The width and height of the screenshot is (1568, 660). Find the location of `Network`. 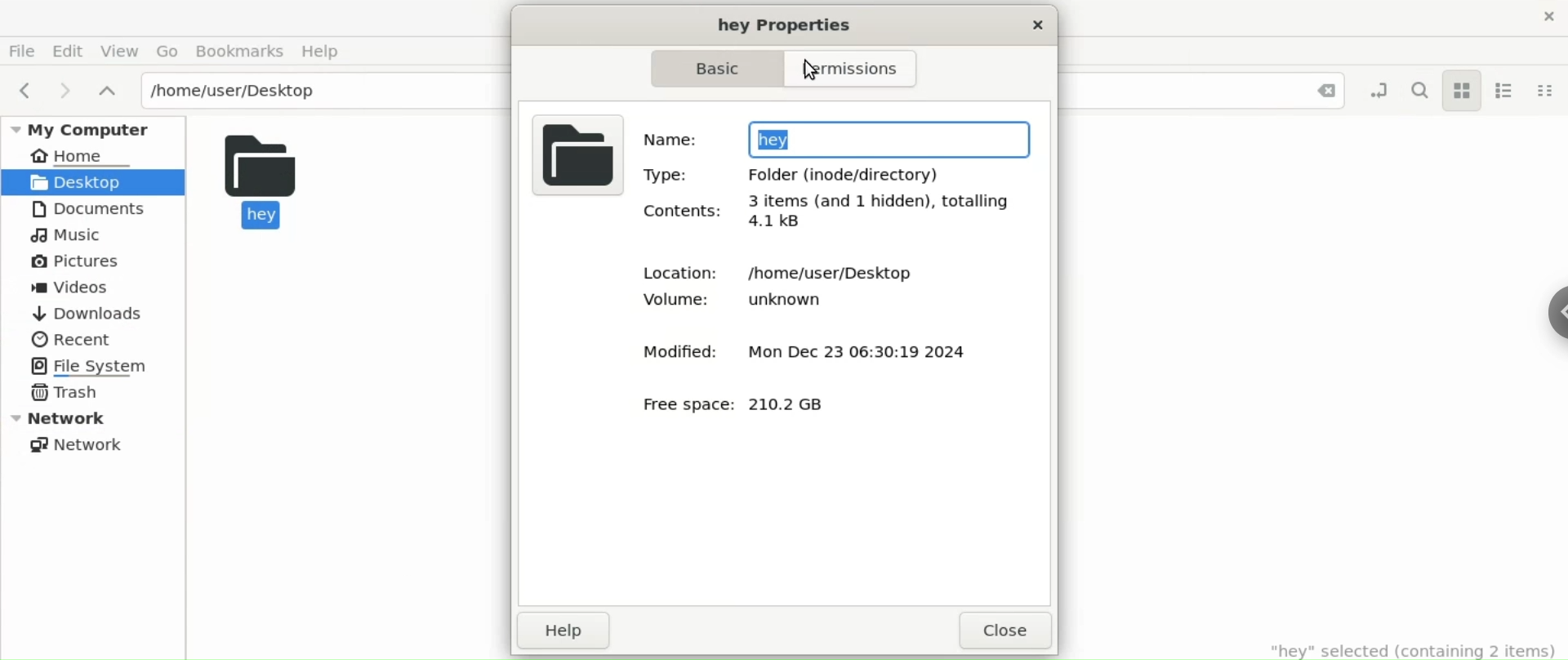

Network is located at coordinates (75, 444).